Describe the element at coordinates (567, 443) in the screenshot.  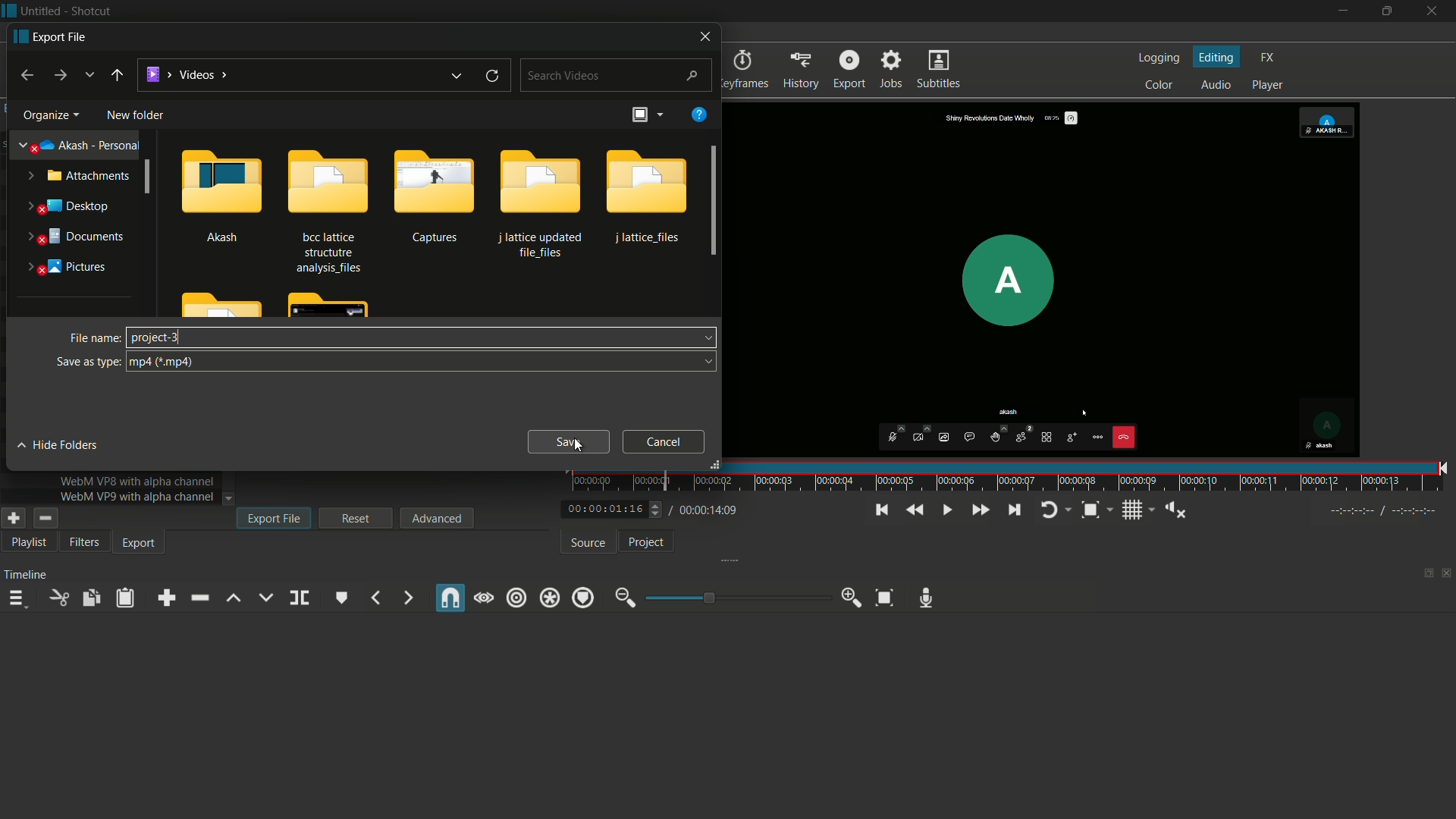
I see `Save` at that location.